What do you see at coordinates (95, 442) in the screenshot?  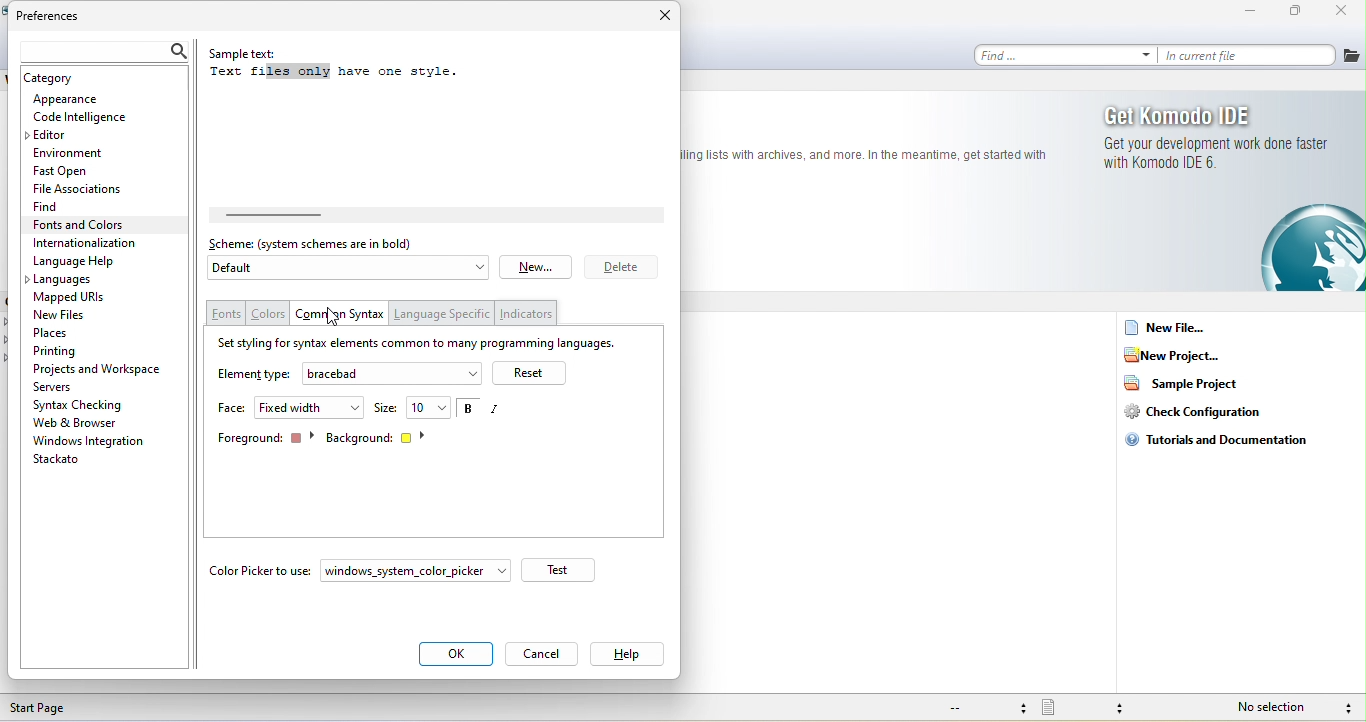 I see `window integration` at bounding box center [95, 442].